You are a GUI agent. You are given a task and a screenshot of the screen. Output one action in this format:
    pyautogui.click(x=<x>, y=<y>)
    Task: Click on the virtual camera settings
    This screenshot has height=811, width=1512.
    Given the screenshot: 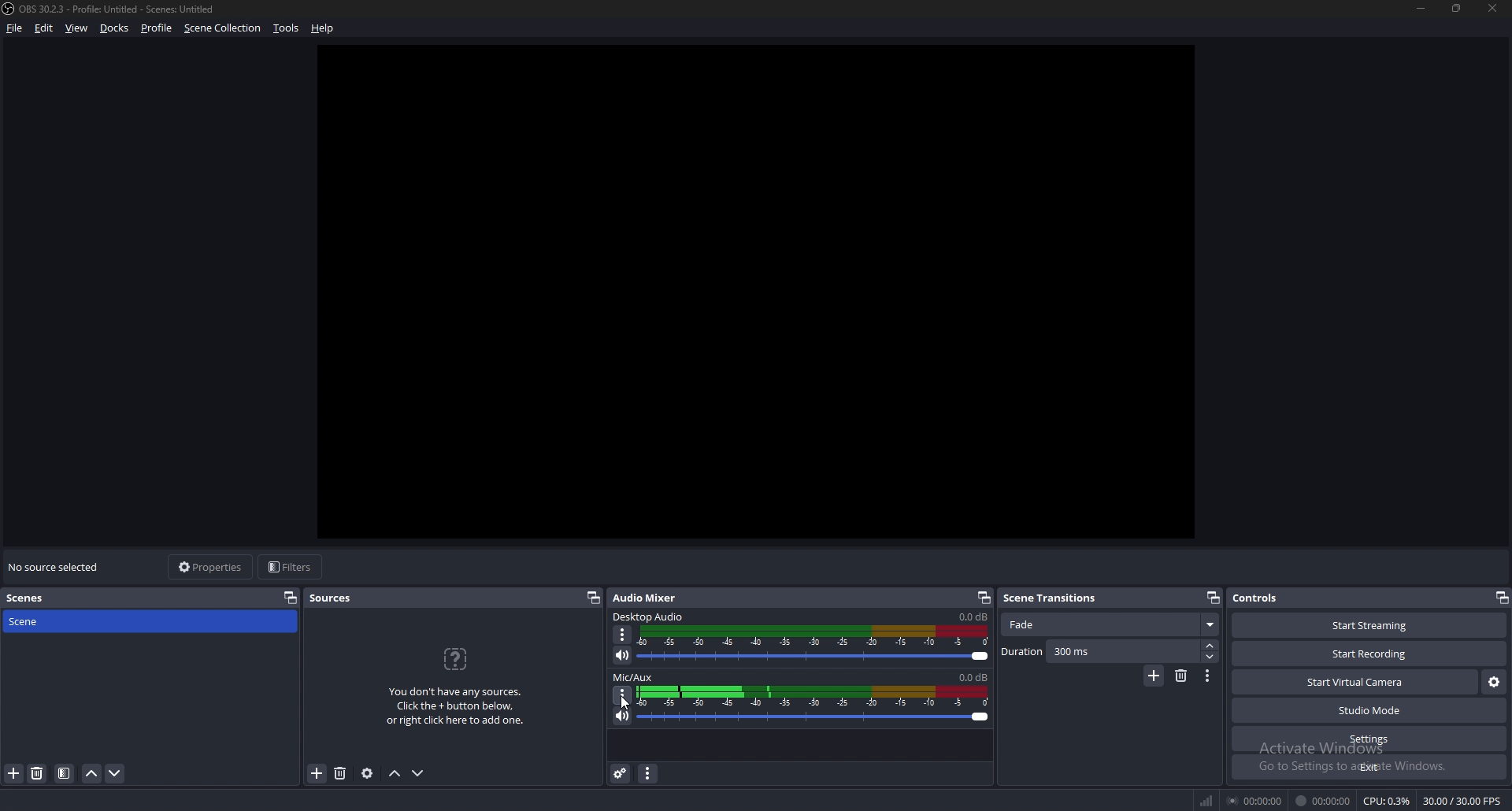 What is the action you would take?
    pyautogui.click(x=1493, y=682)
    